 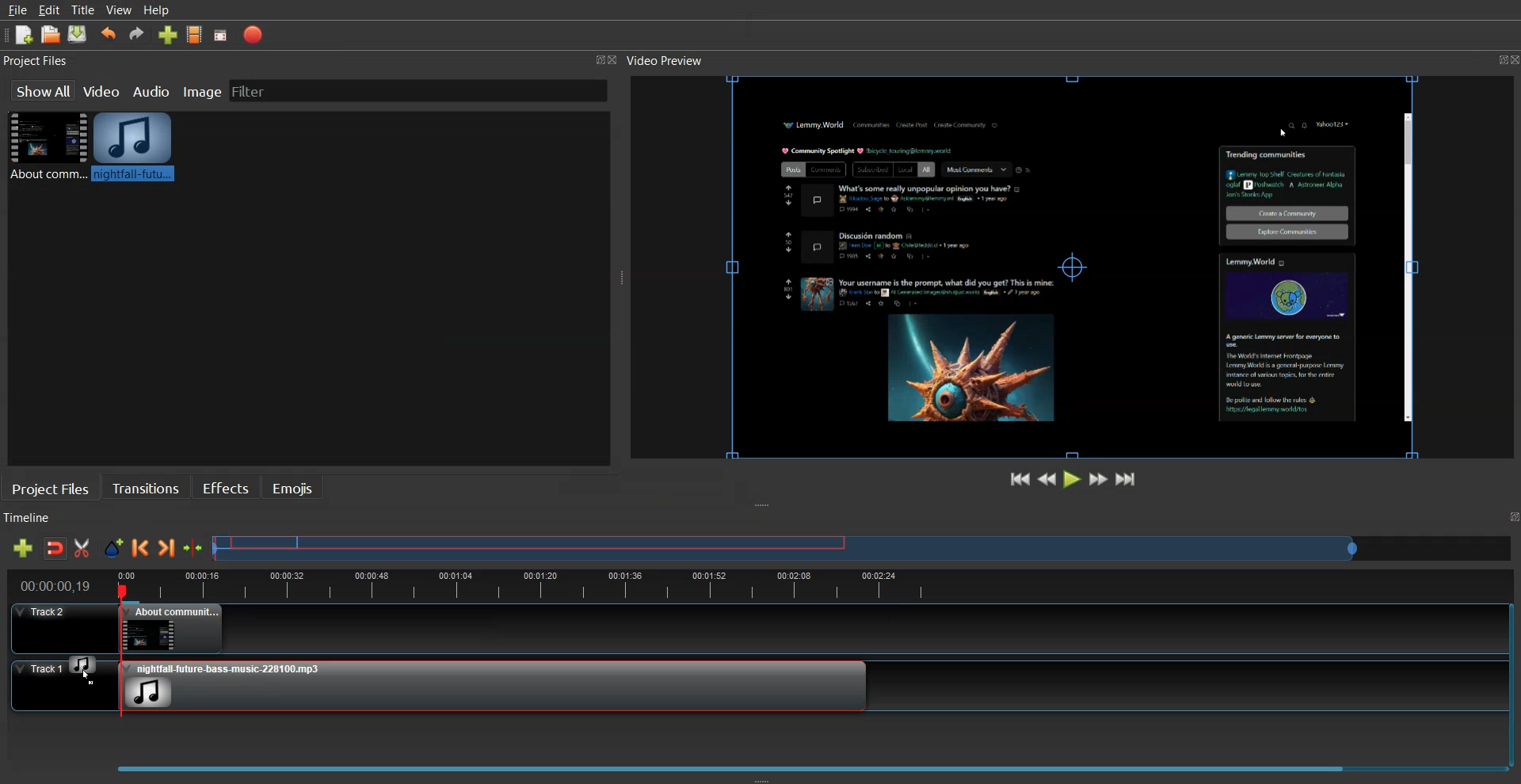 What do you see at coordinates (42, 90) in the screenshot?
I see `Show all` at bounding box center [42, 90].